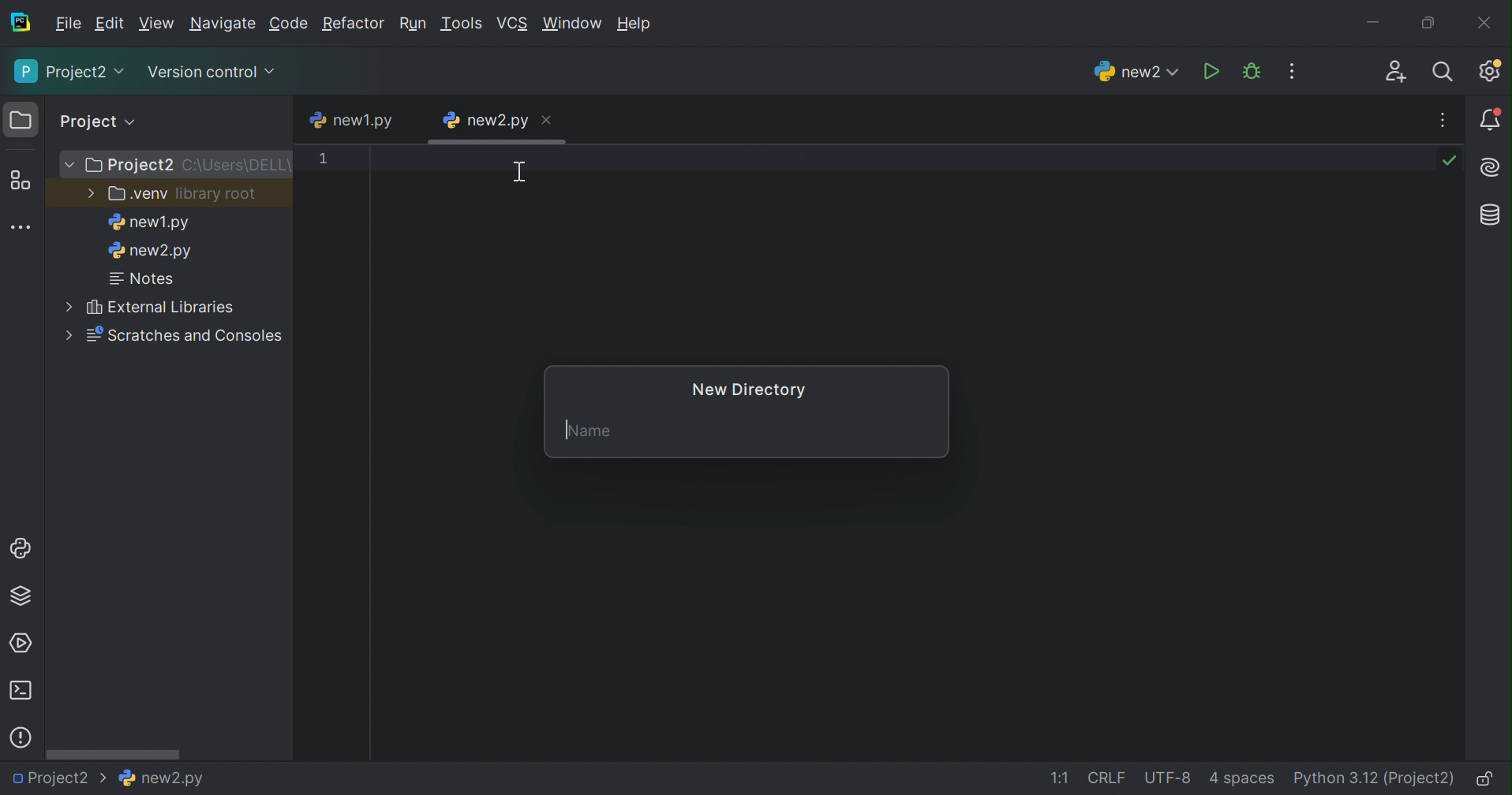 Image resolution: width=1512 pixels, height=795 pixels. What do you see at coordinates (545, 121) in the screenshot?
I see `Close` at bounding box center [545, 121].